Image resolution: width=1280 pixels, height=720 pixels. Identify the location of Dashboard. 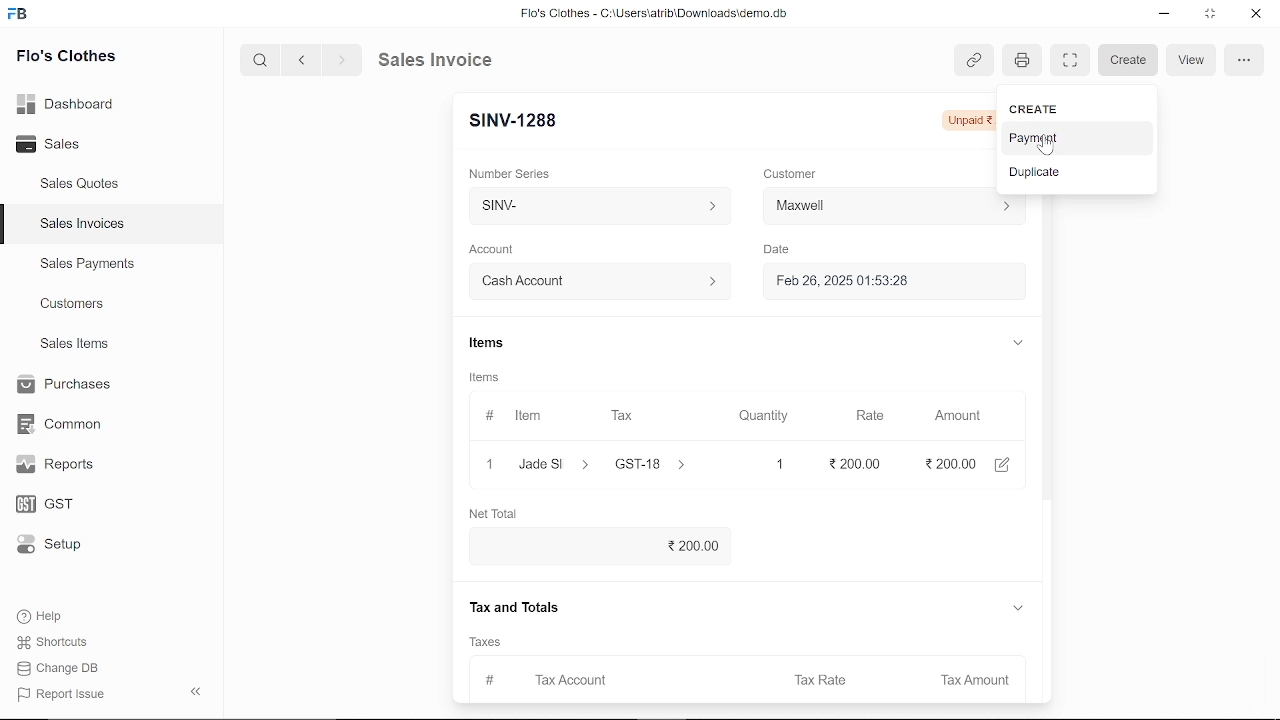
(70, 103).